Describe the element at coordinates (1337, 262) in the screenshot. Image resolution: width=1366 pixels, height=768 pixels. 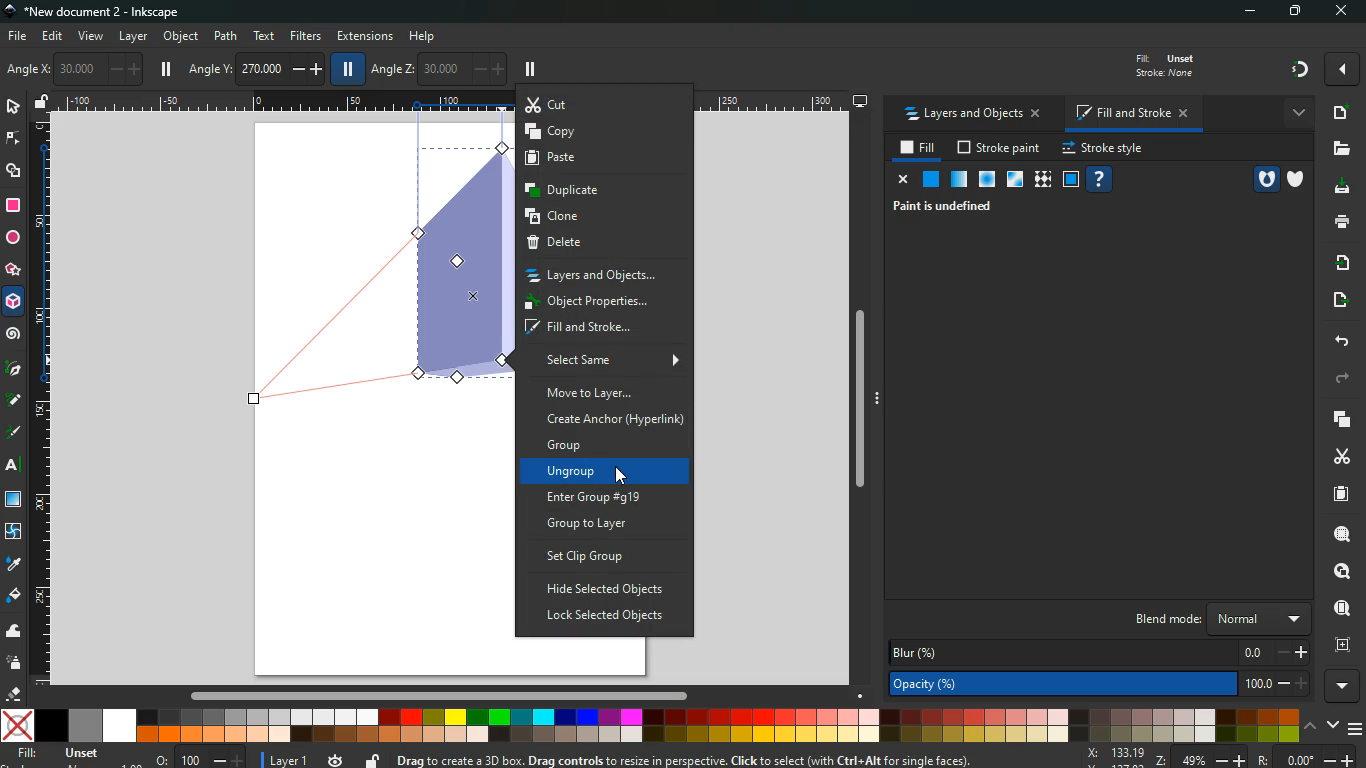
I see `receive` at that location.